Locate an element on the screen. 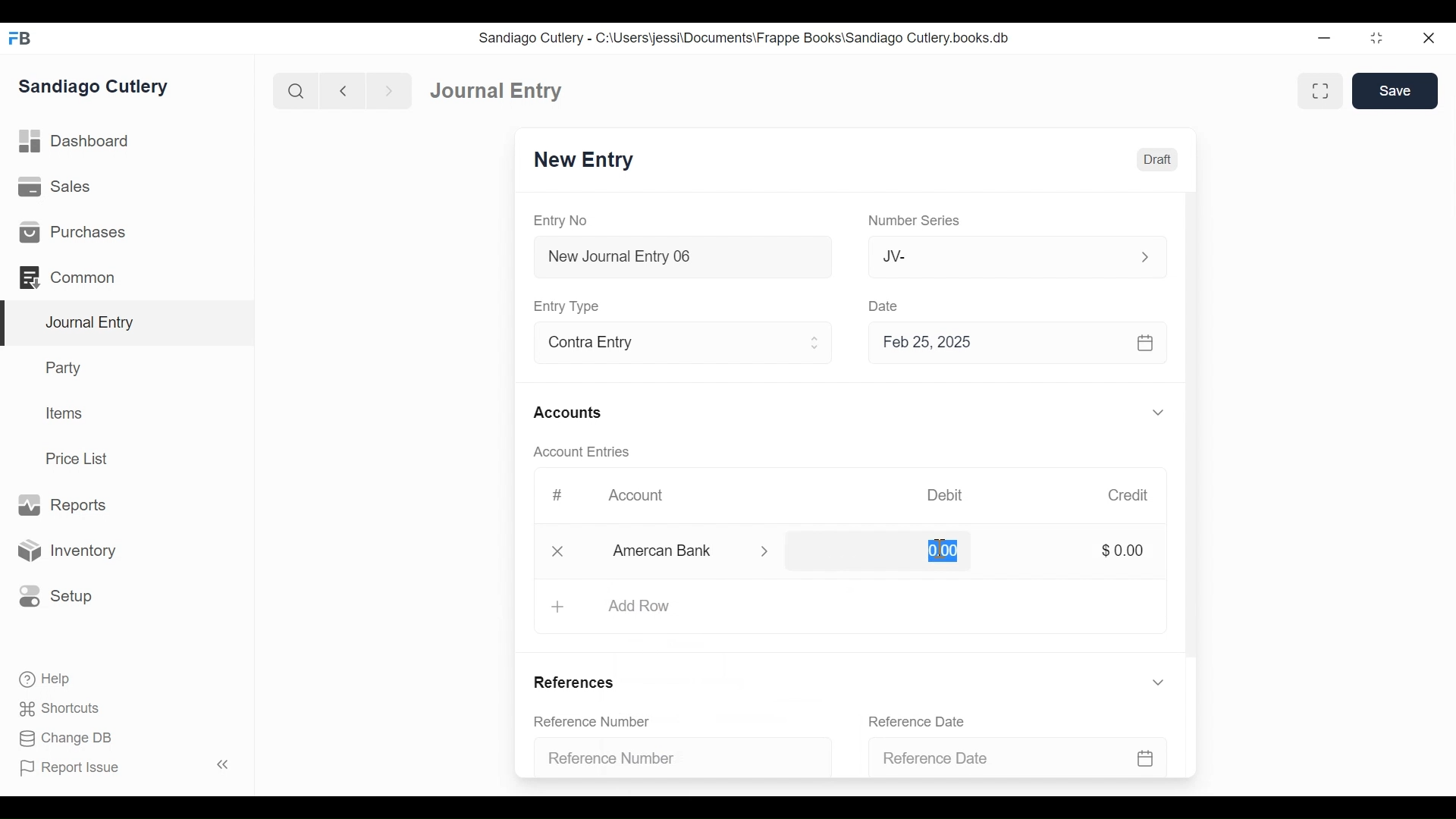 Image resolution: width=1456 pixels, height=819 pixels. Save is located at coordinates (1395, 90).